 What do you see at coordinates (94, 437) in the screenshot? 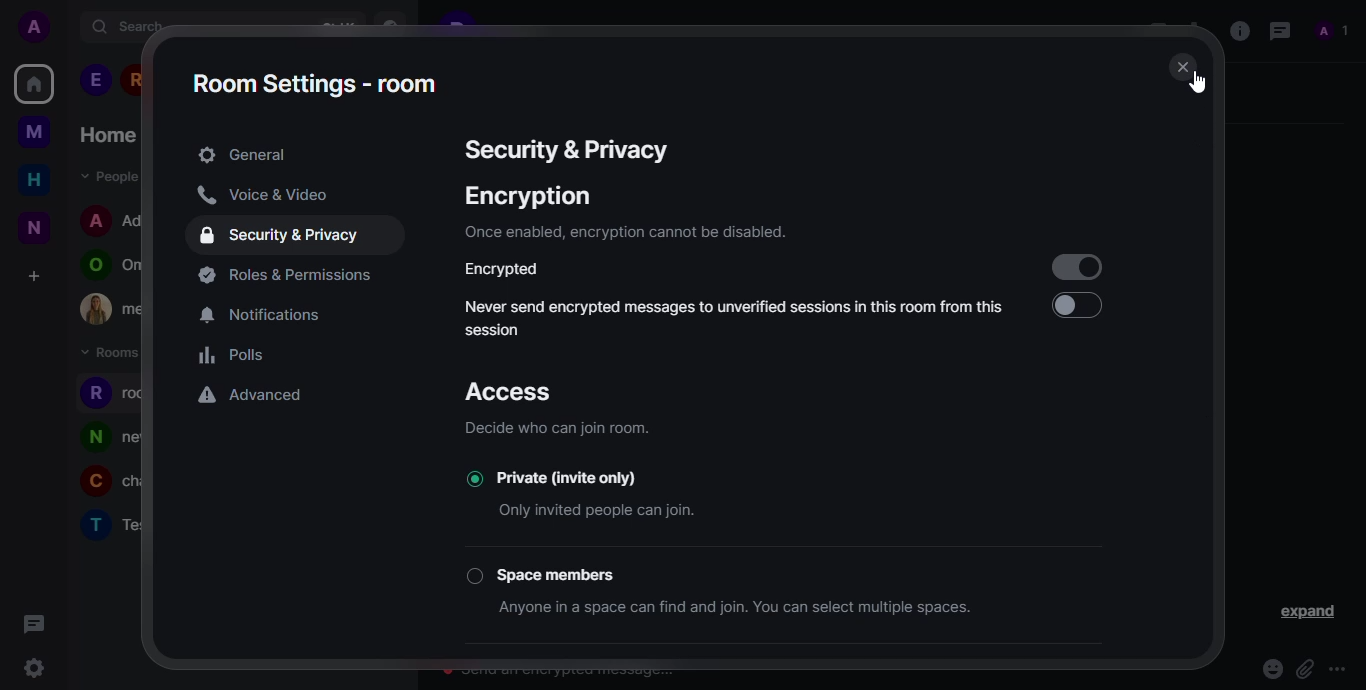
I see `profile` at bounding box center [94, 437].